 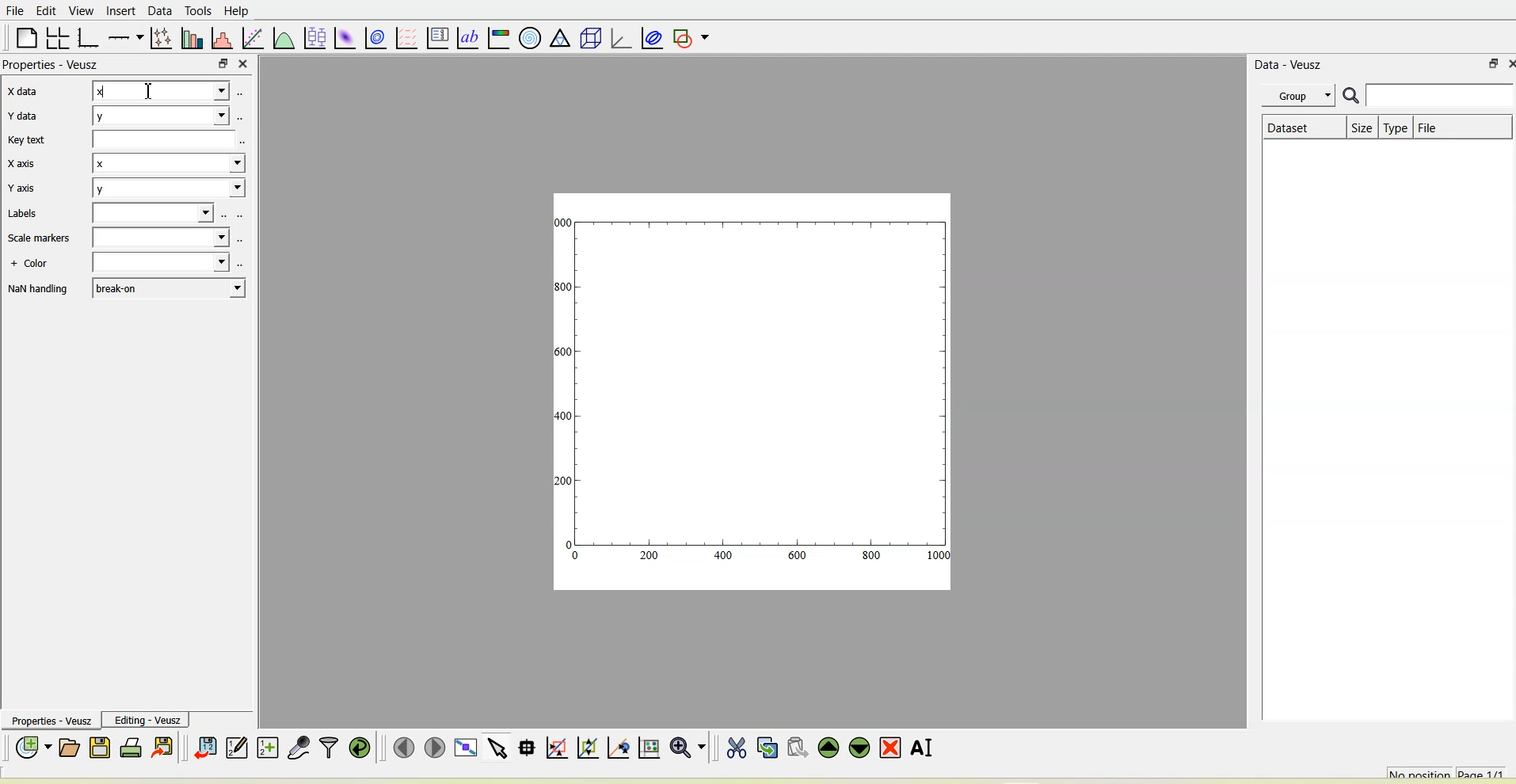 What do you see at coordinates (284, 38) in the screenshot?
I see `Plot a function` at bounding box center [284, 38].